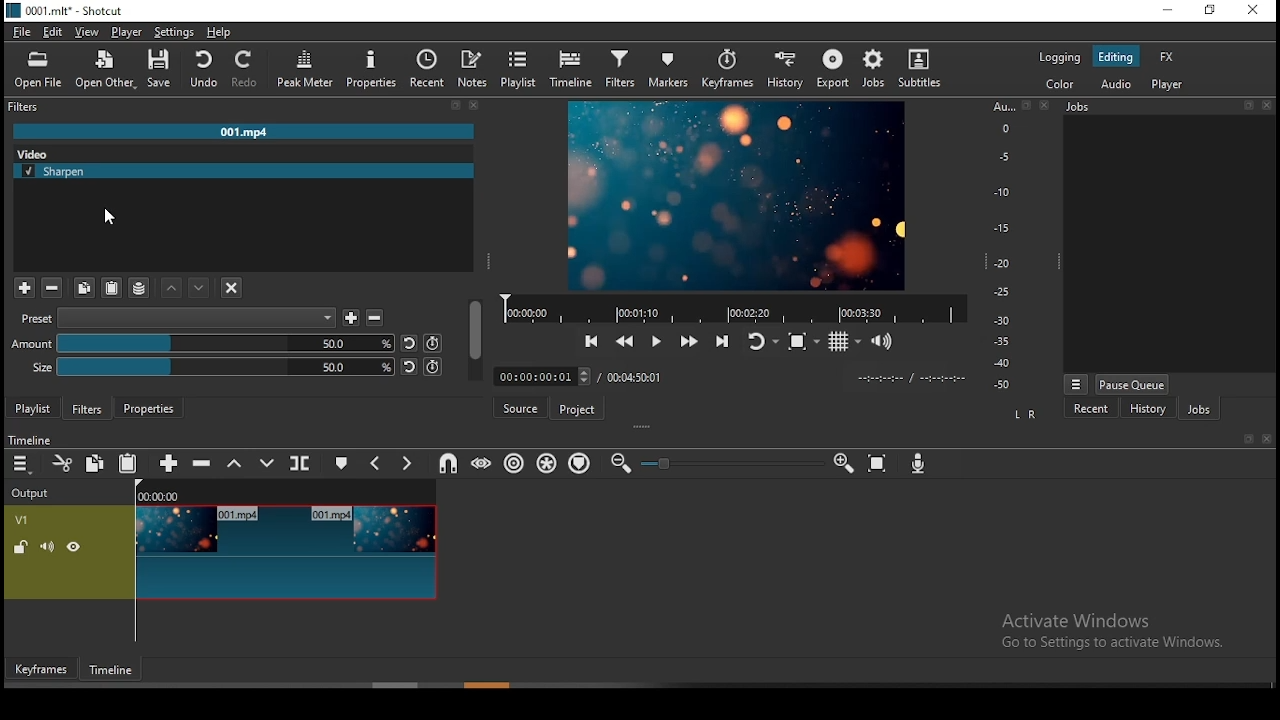  Describe the element at coordinates (31, 345) in the screenshot. I see `Amount` at that location.